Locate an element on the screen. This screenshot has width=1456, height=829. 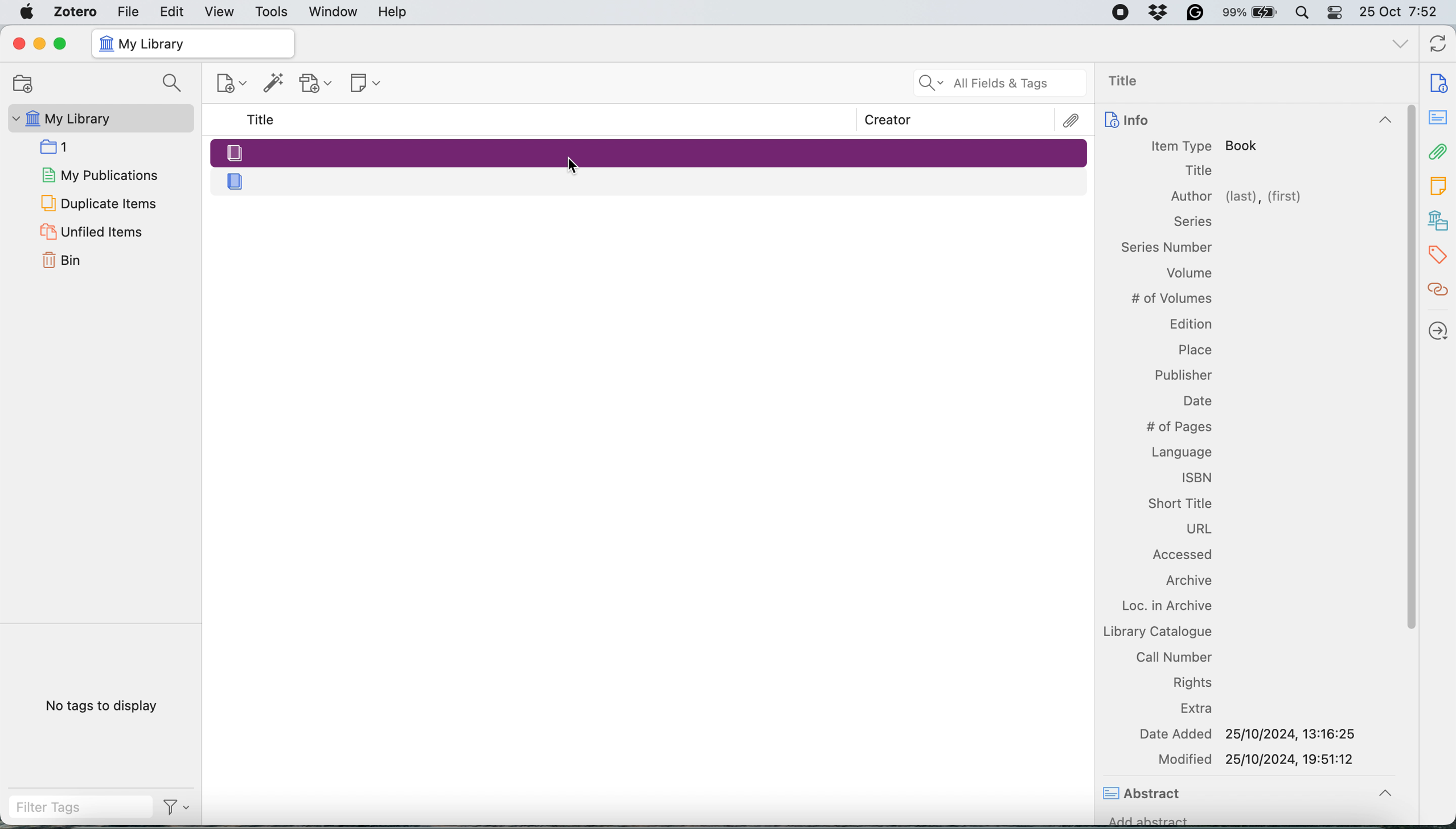
Maximize is located at coordinates (60, 44).